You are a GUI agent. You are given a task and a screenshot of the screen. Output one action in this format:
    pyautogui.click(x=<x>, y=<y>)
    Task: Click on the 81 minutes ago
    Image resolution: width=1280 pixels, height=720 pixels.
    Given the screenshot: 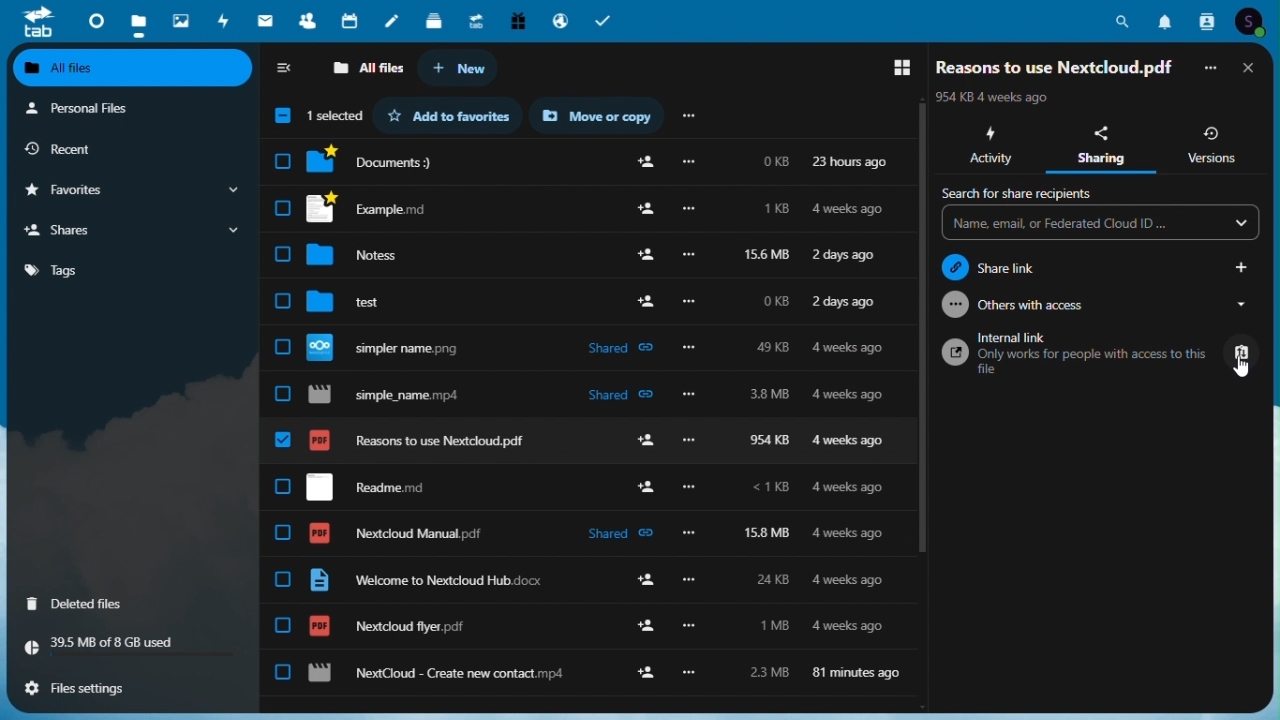 What is the action you would take?
    pyautogui.click(x=856, y=670)
    